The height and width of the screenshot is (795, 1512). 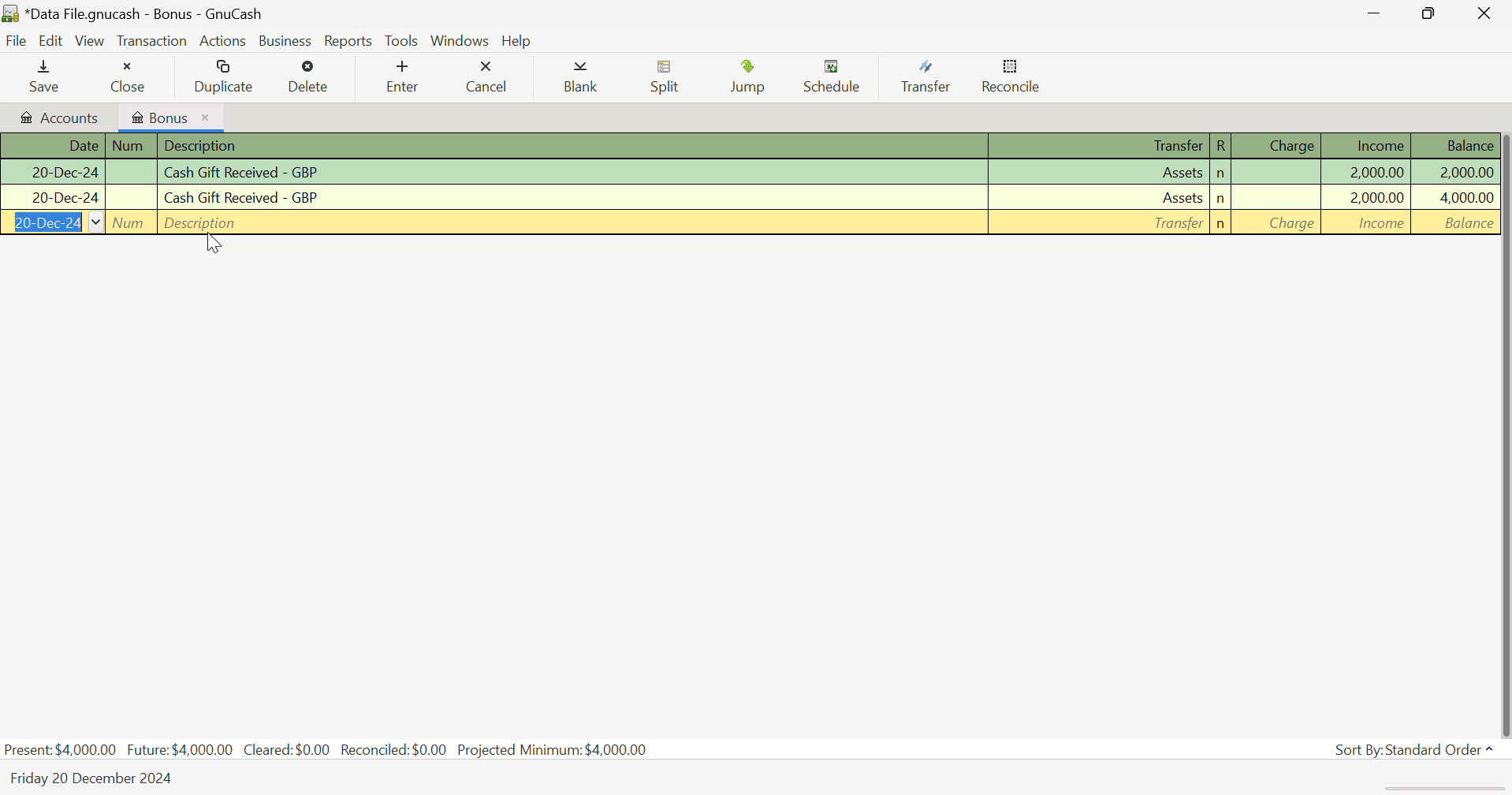 What do you see at coordinates (99, 778) in the screenshot?
I see `Friday 20 December 2024` at bounding box center [99, 778].